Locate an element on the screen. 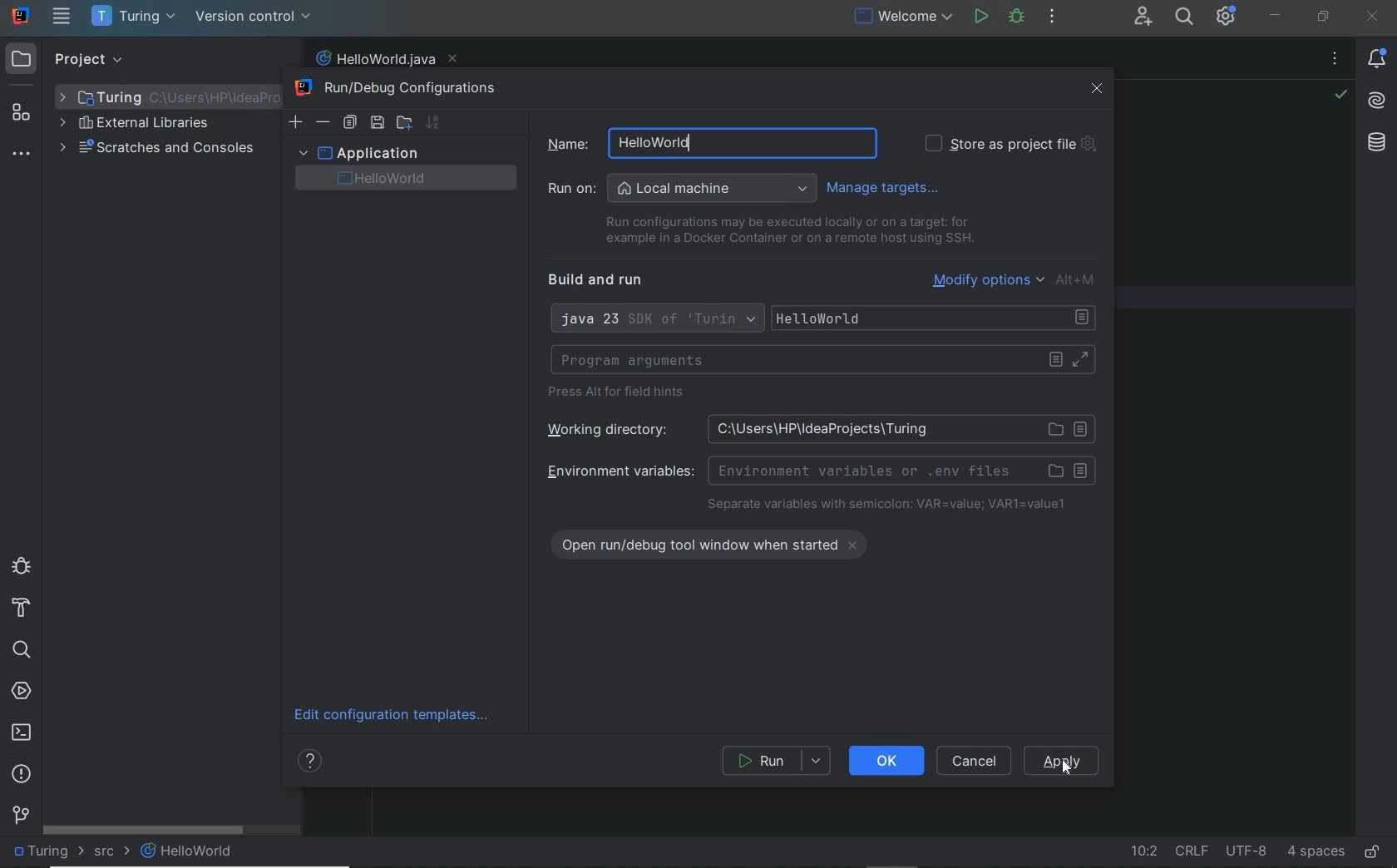  OK is located at coordinates (886, 760).